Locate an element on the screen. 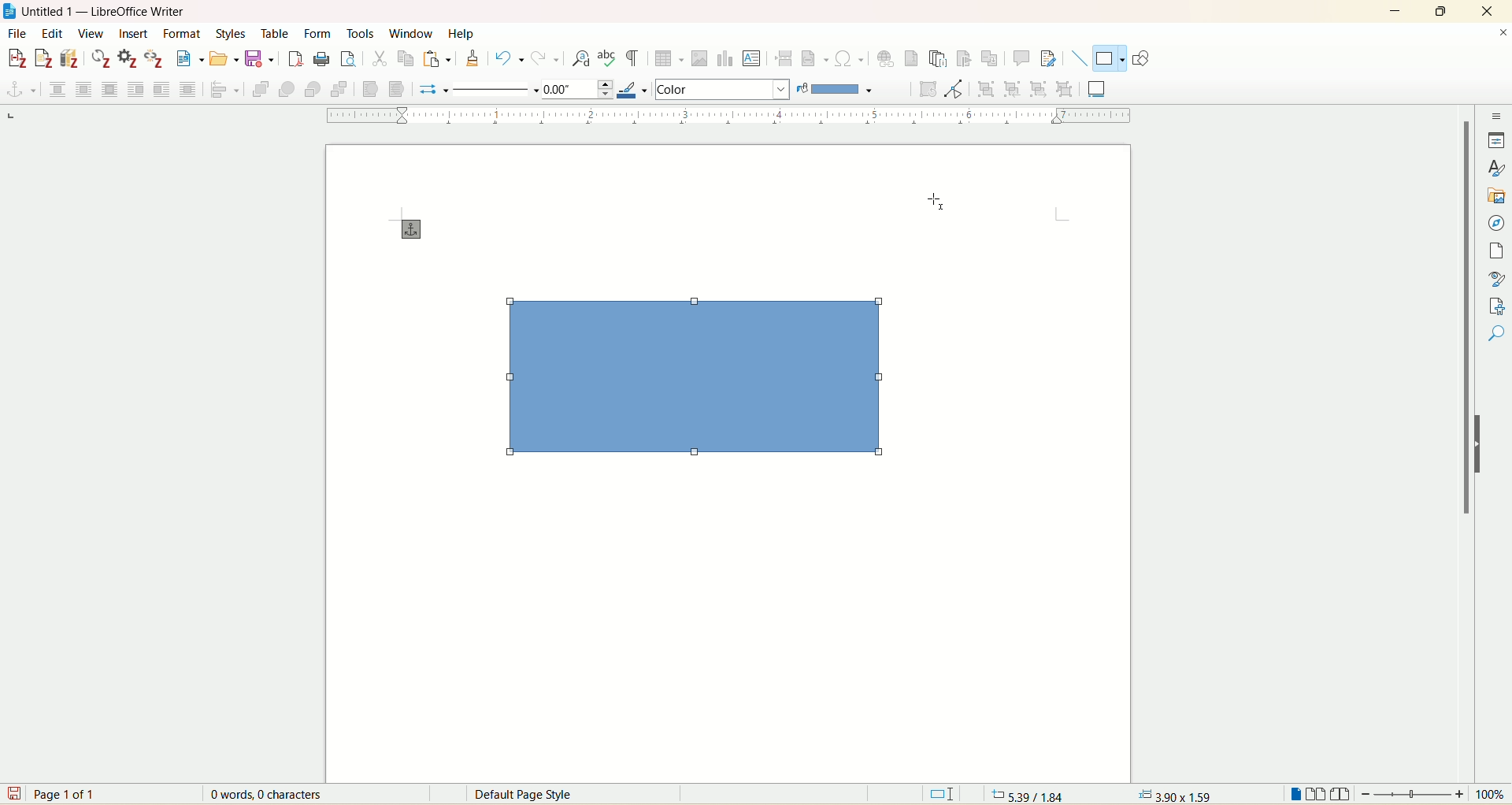 This screenshot has height=805, width=1512. line color is located at coordinates (636, 88).